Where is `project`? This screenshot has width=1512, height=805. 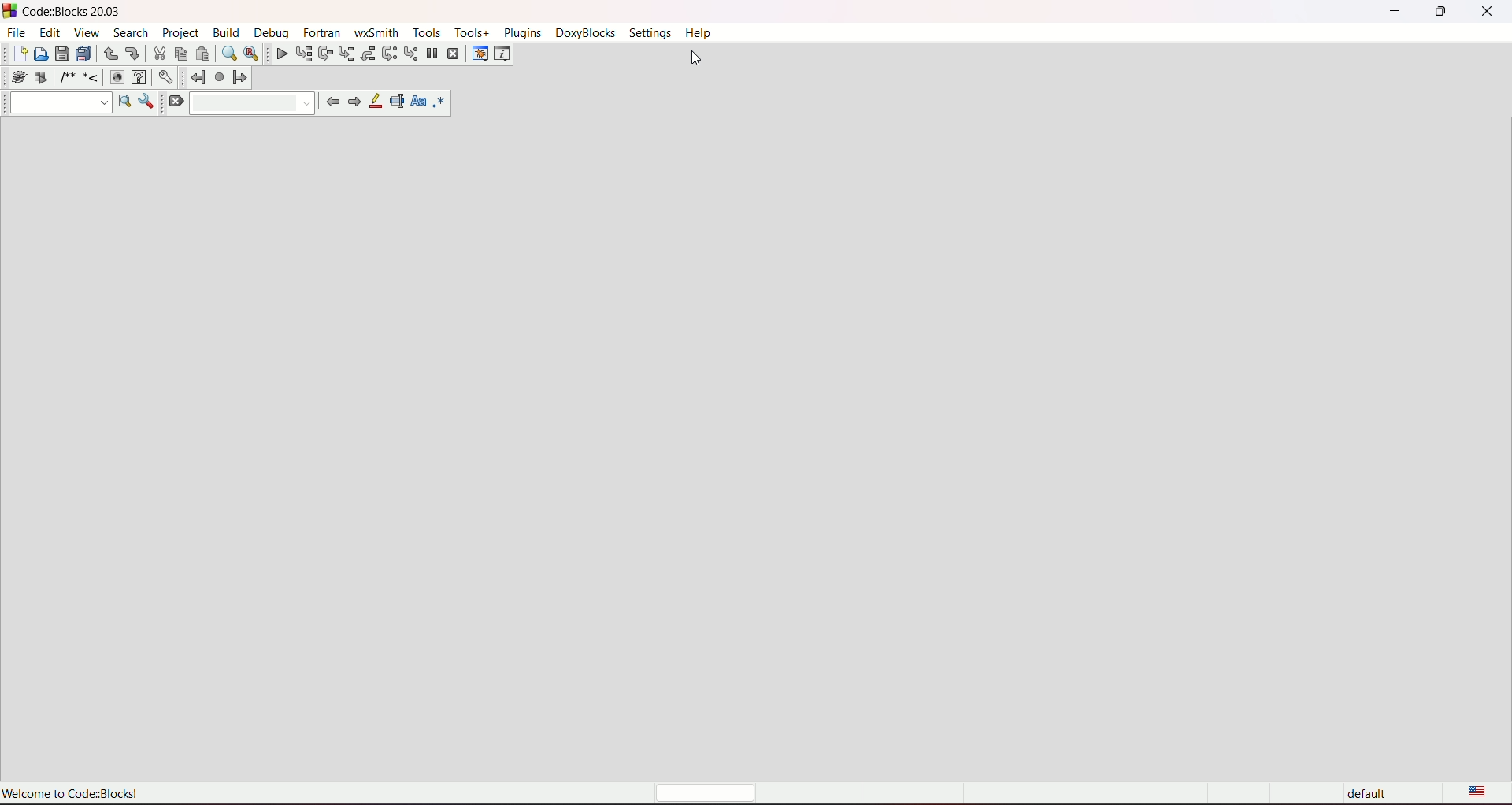 project is located at coordinates (178, 33).